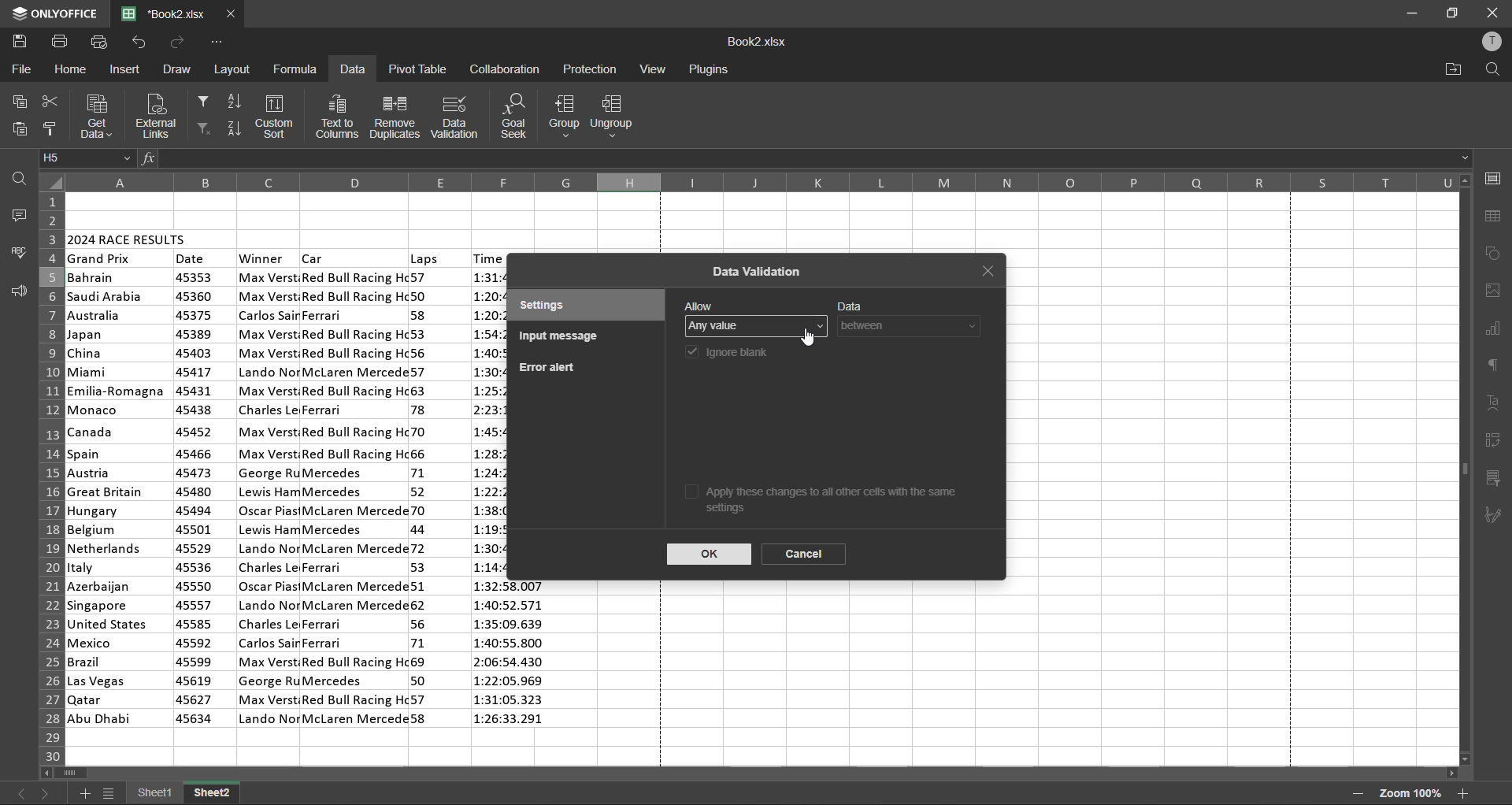 This screenshot has height=805, width=1512. What do you see at coordinates (53, 129) in the screenshot?
I see `copy style` at bounding box center [53, 129].